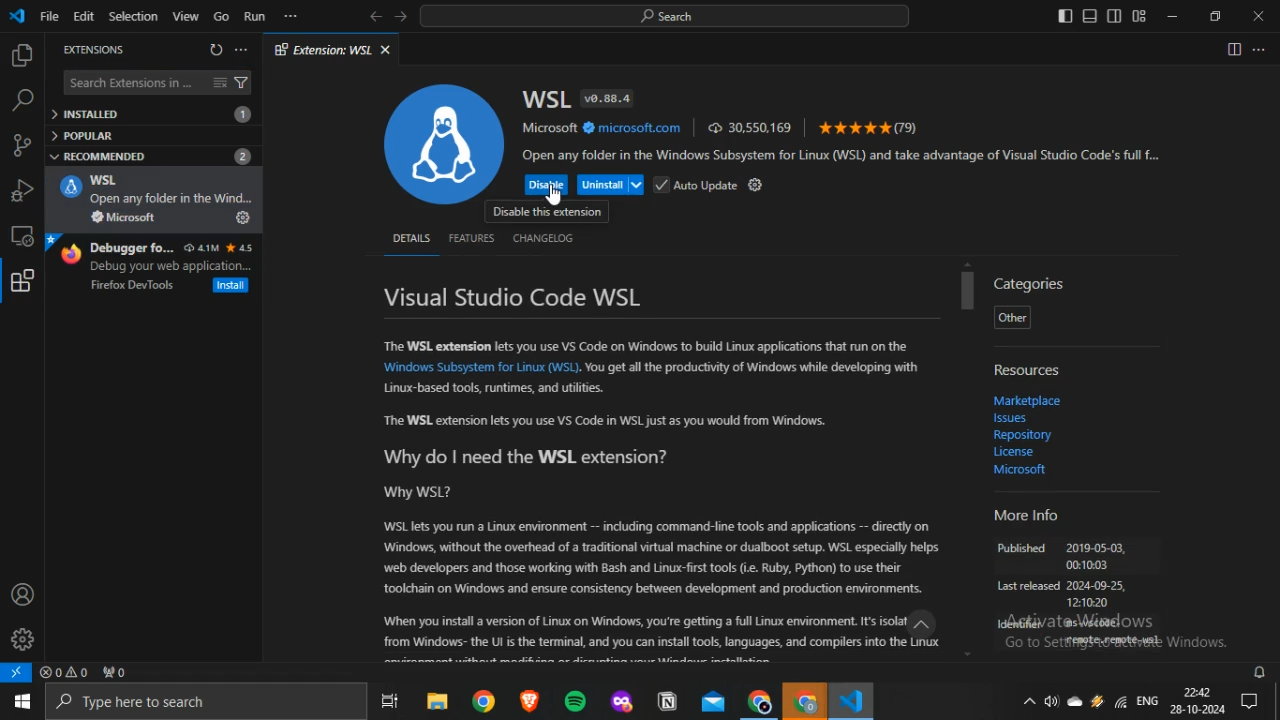  Describe the element at coordinates (752, 368) in the screenshot. I see `You get all the productivity of Windows while developing with` at that location.